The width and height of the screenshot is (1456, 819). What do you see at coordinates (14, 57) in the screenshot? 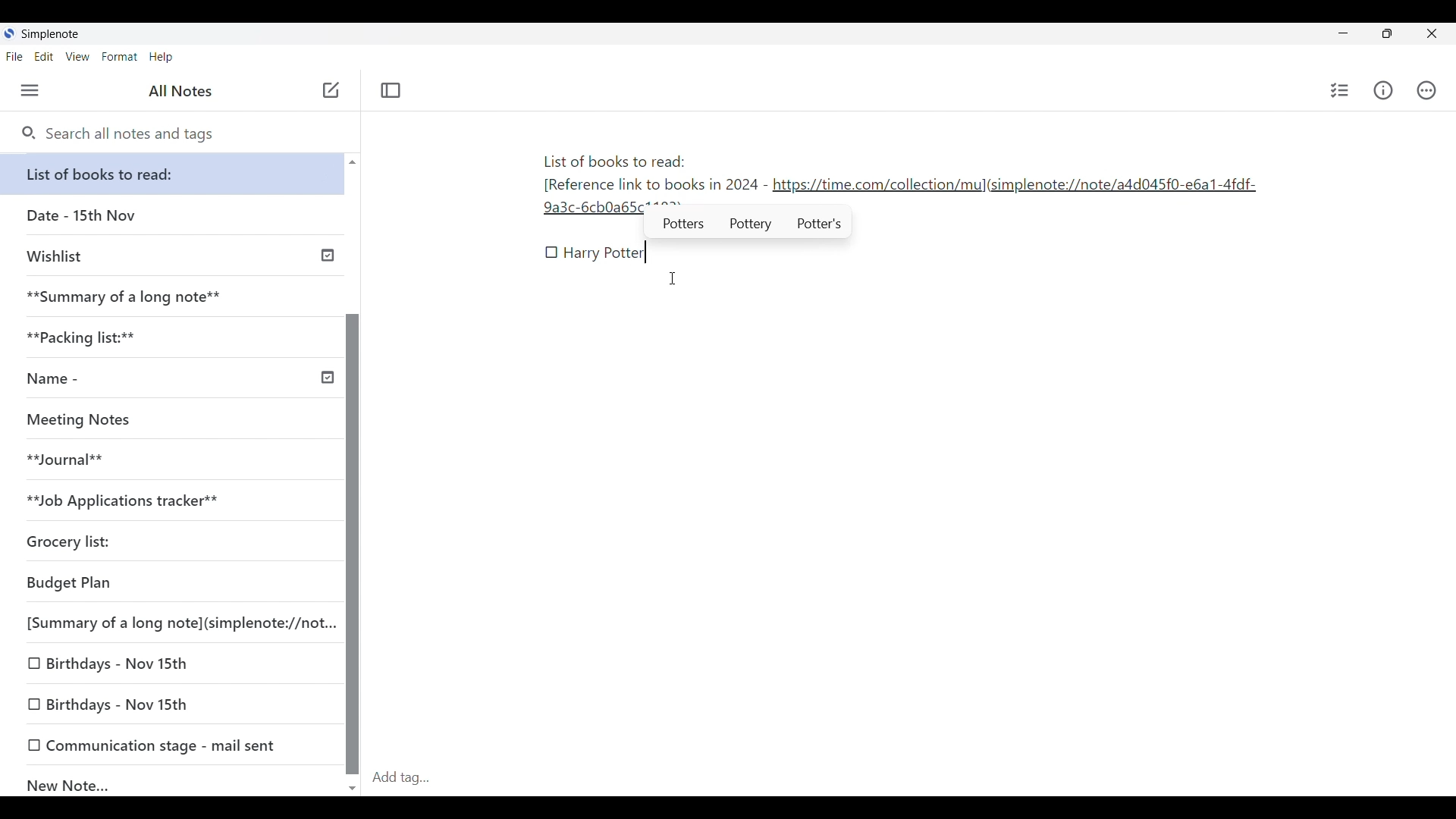
I see `File` at bounding box center [14, 57].